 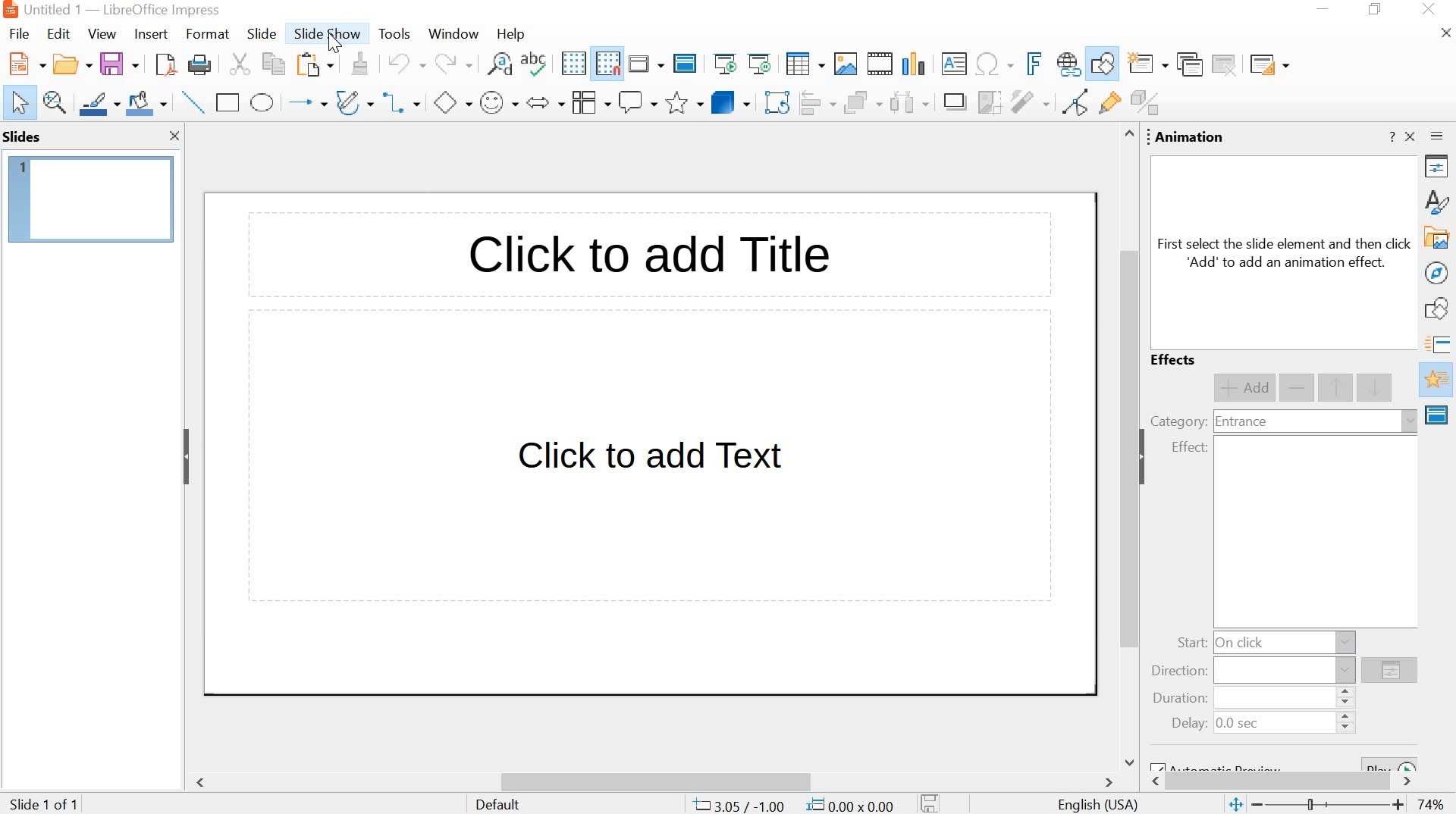 I want to click on scroll bar, so click(x=1125, y=447).